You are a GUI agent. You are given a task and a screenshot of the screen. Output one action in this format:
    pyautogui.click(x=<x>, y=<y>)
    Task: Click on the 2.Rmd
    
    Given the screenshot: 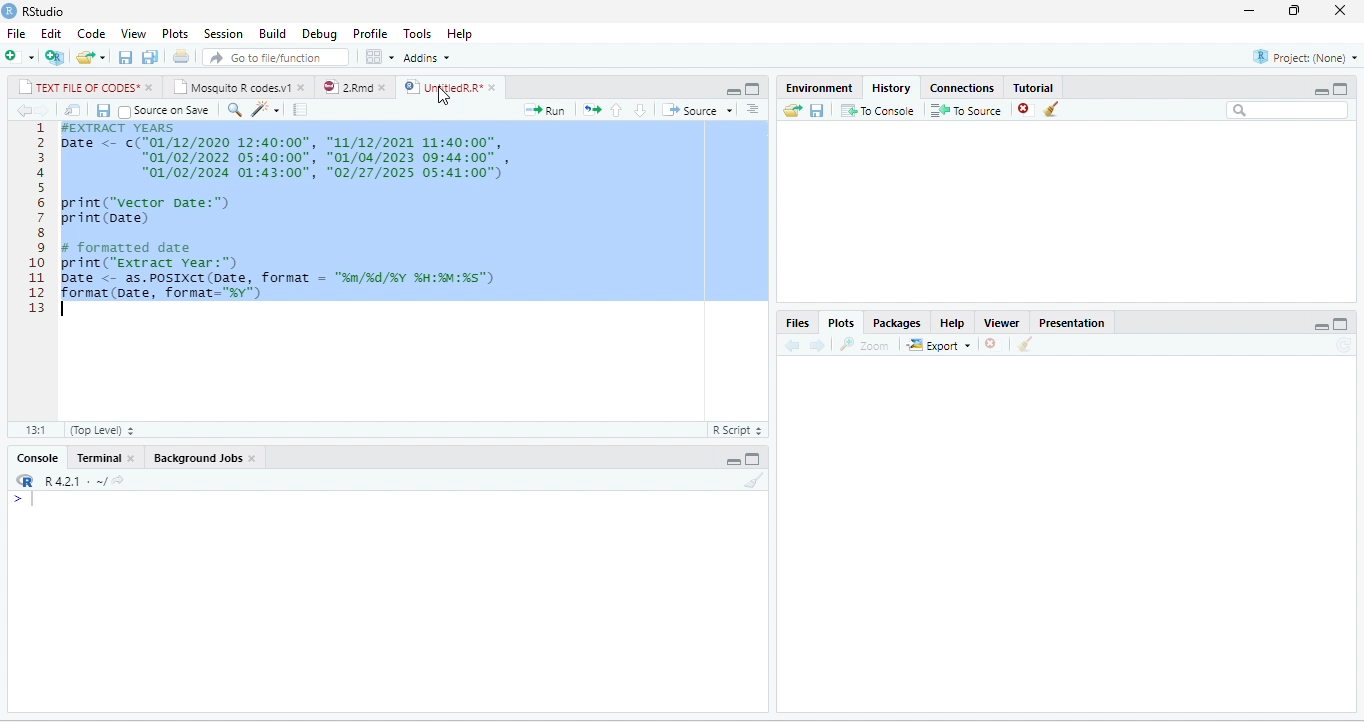 What is the action you would take?
    pyautogui.click(x=346, y=87)
    